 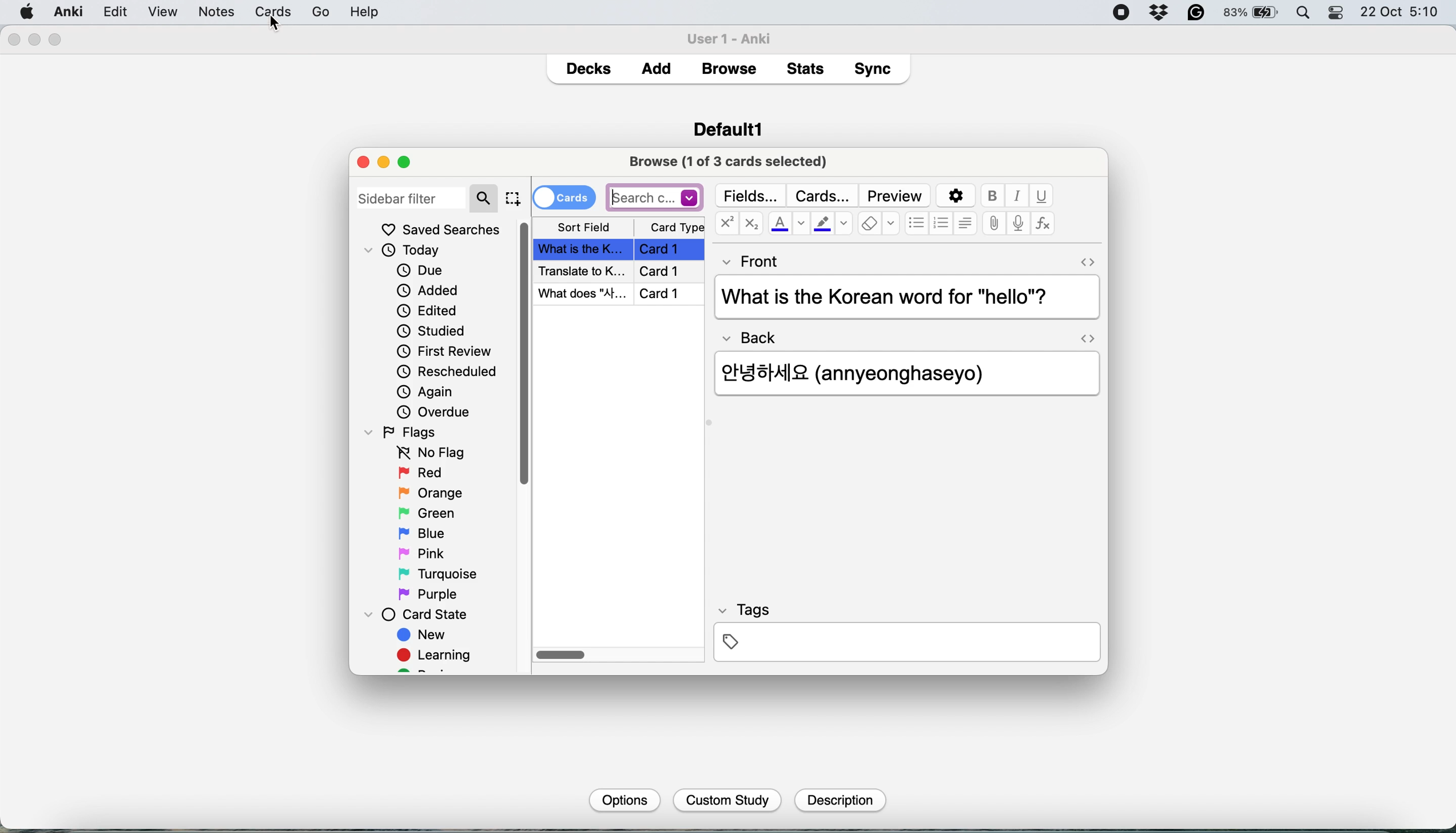 I want to click on audio recorder, so click(x=1017, y=225).